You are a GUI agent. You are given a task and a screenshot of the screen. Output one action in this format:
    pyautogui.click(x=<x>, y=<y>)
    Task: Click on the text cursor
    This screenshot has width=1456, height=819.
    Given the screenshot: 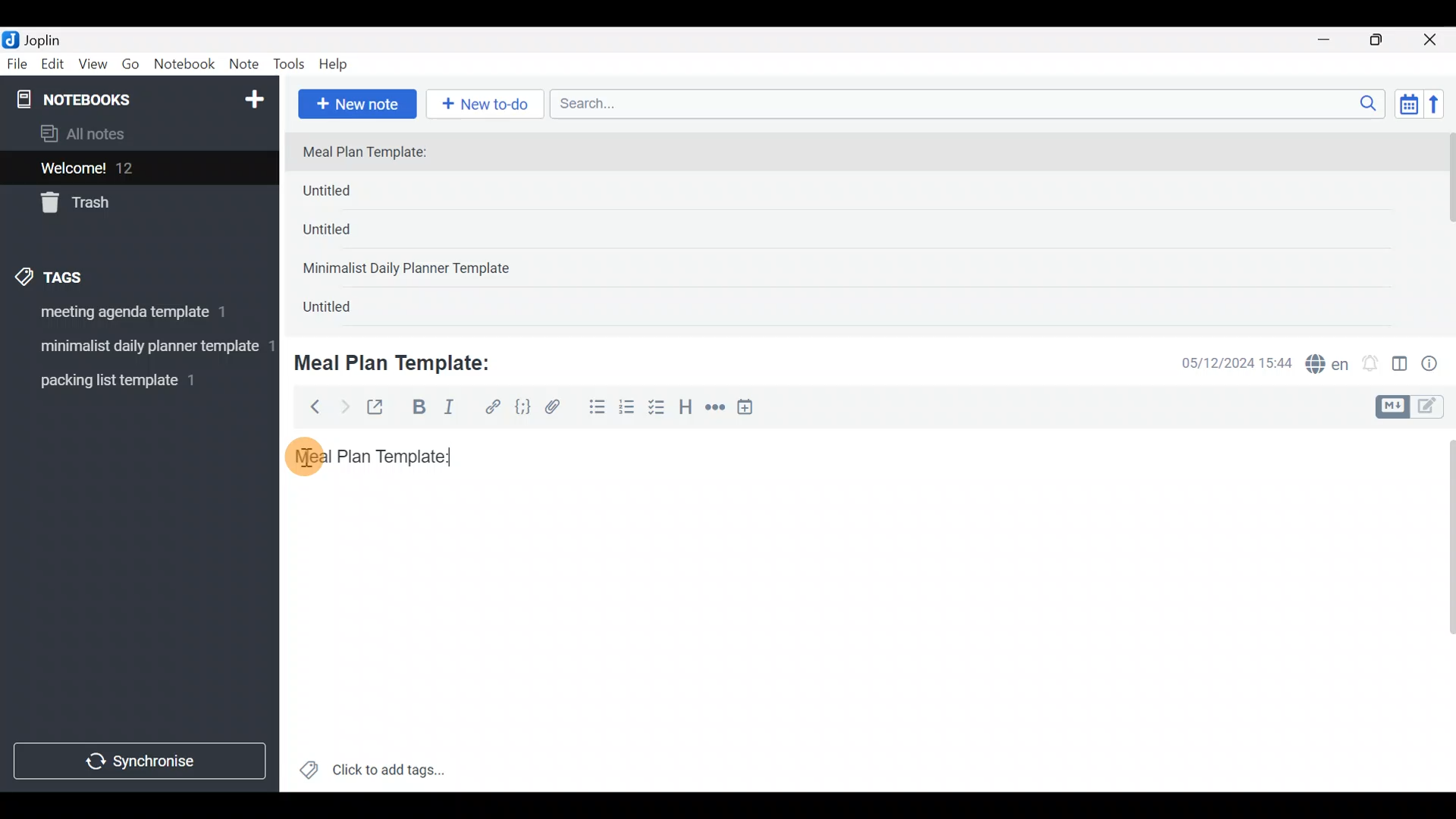 What is the action you would take?
    pyautogui.click(x=455, y=457)
    